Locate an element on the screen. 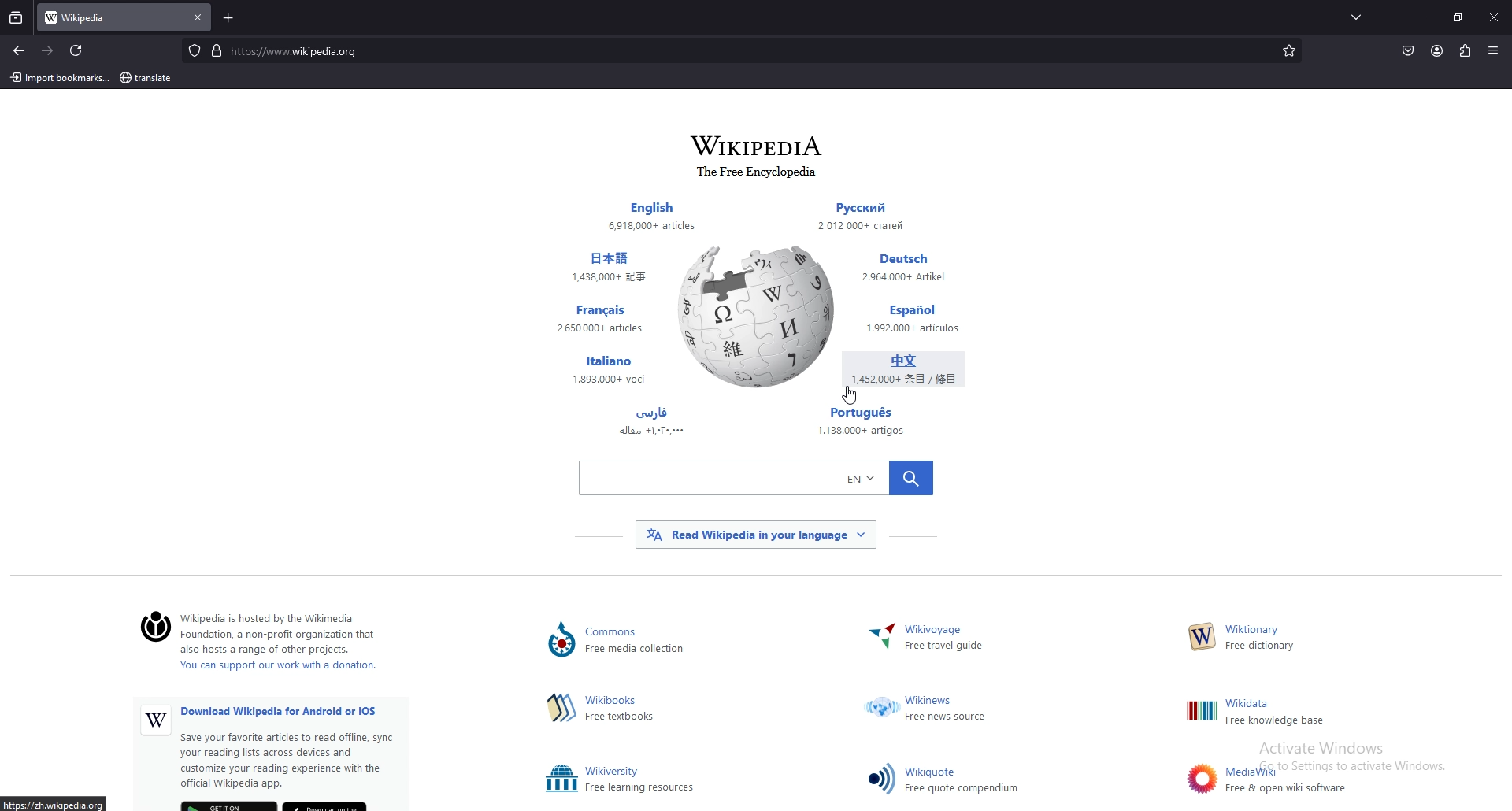 Image resolution: width=1512 pixels, height=811 pixels. search bar is located at coordinates (733, 50).